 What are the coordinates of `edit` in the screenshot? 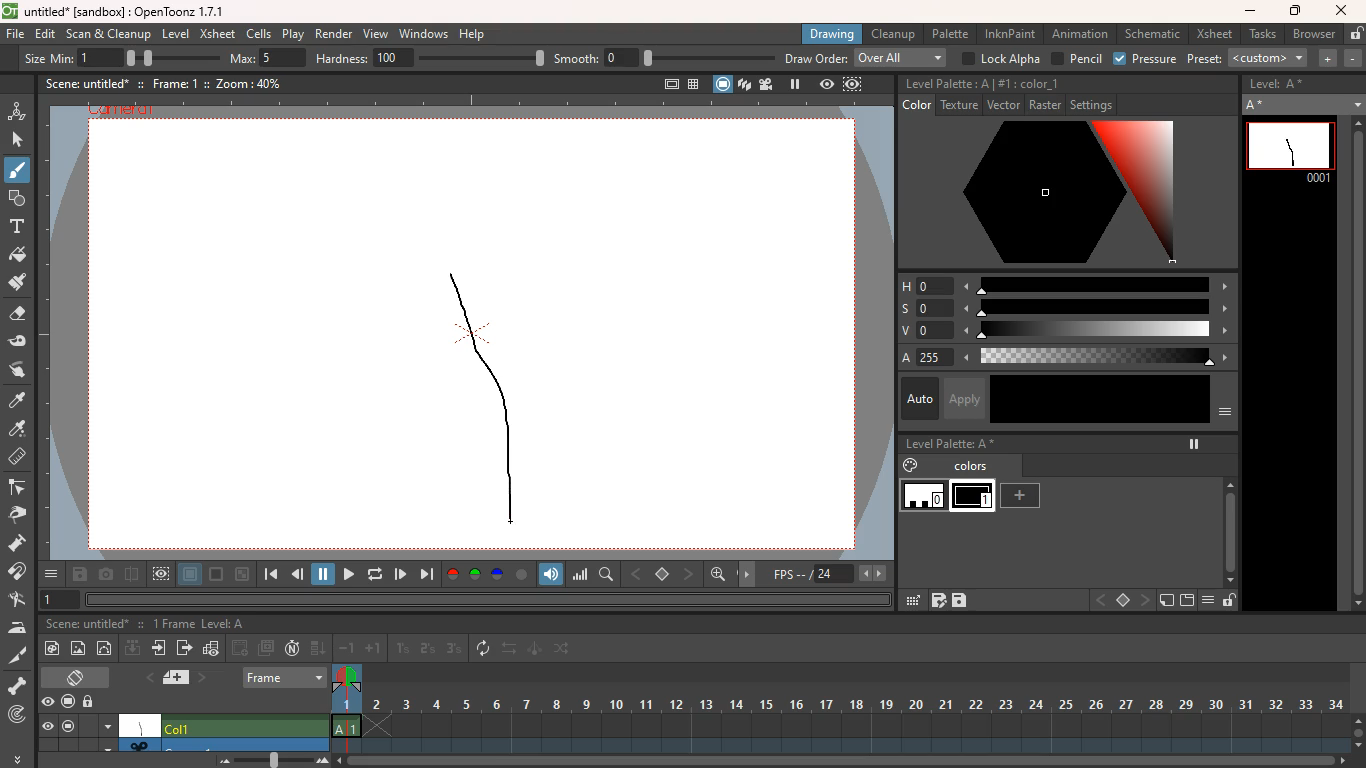 It's located at (911, 600).